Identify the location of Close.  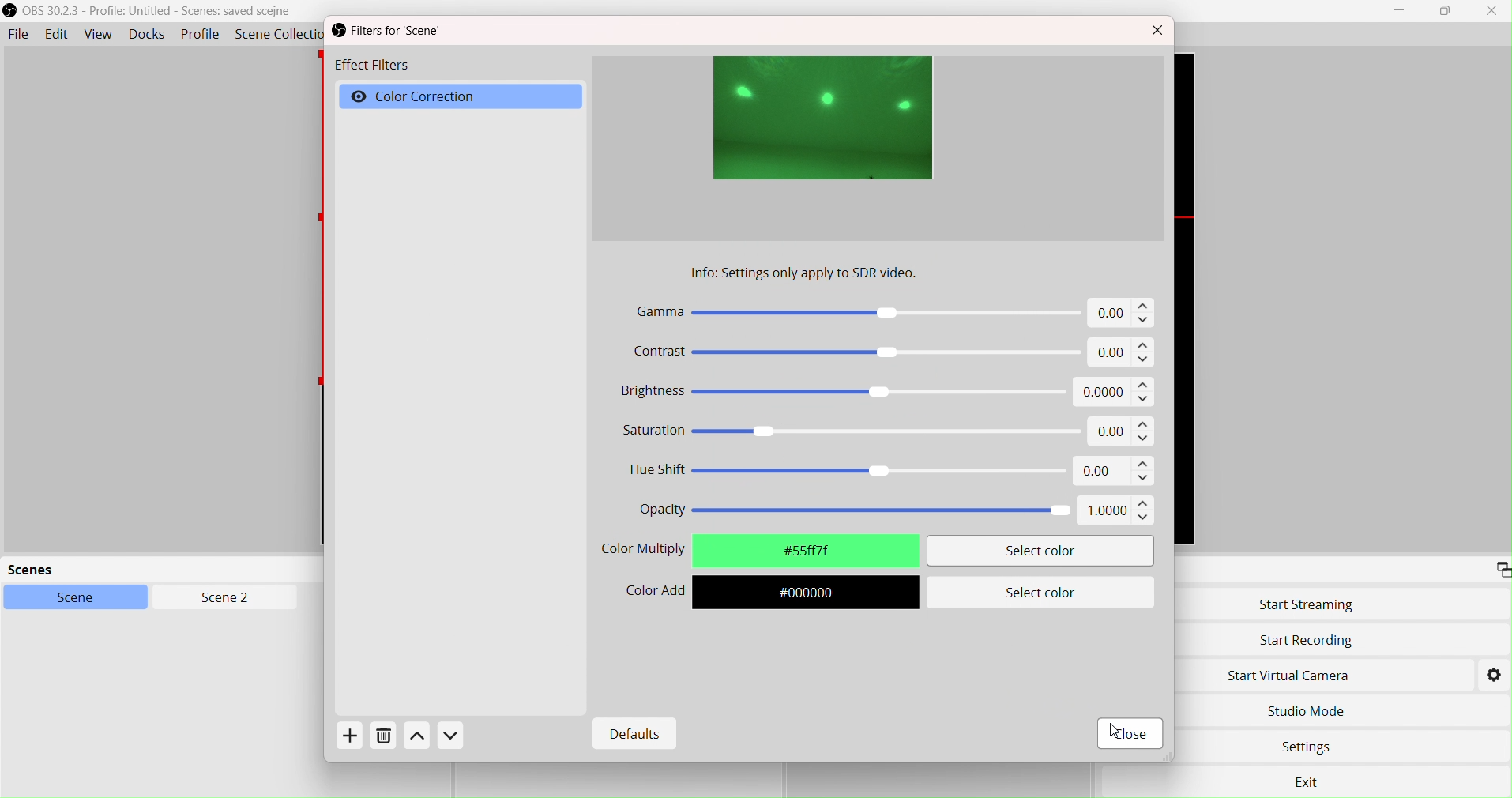
(1491, 10).